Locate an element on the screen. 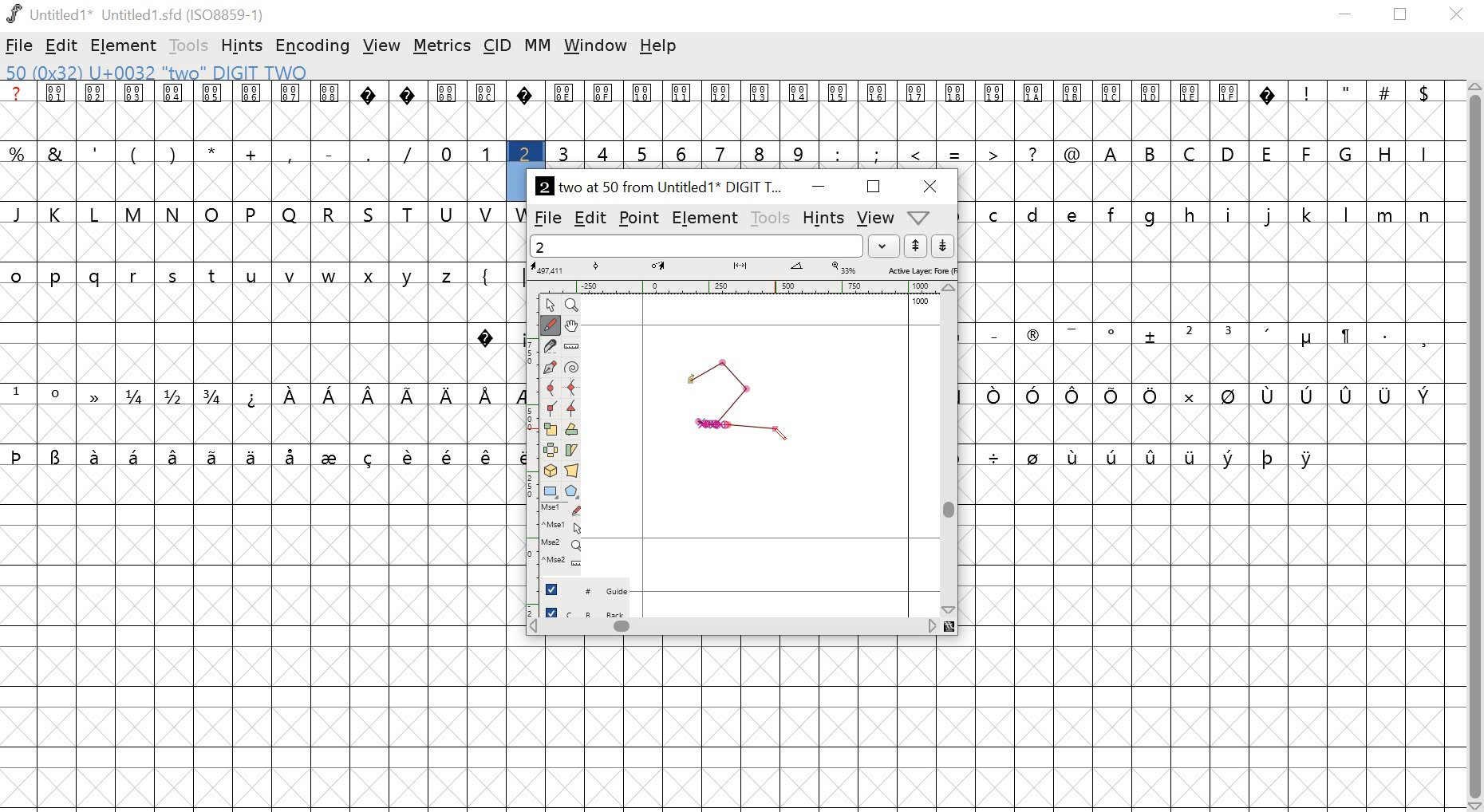 The height and width of the screenshot is (812, 1484). 1000 is located at coordinates (922, 304).